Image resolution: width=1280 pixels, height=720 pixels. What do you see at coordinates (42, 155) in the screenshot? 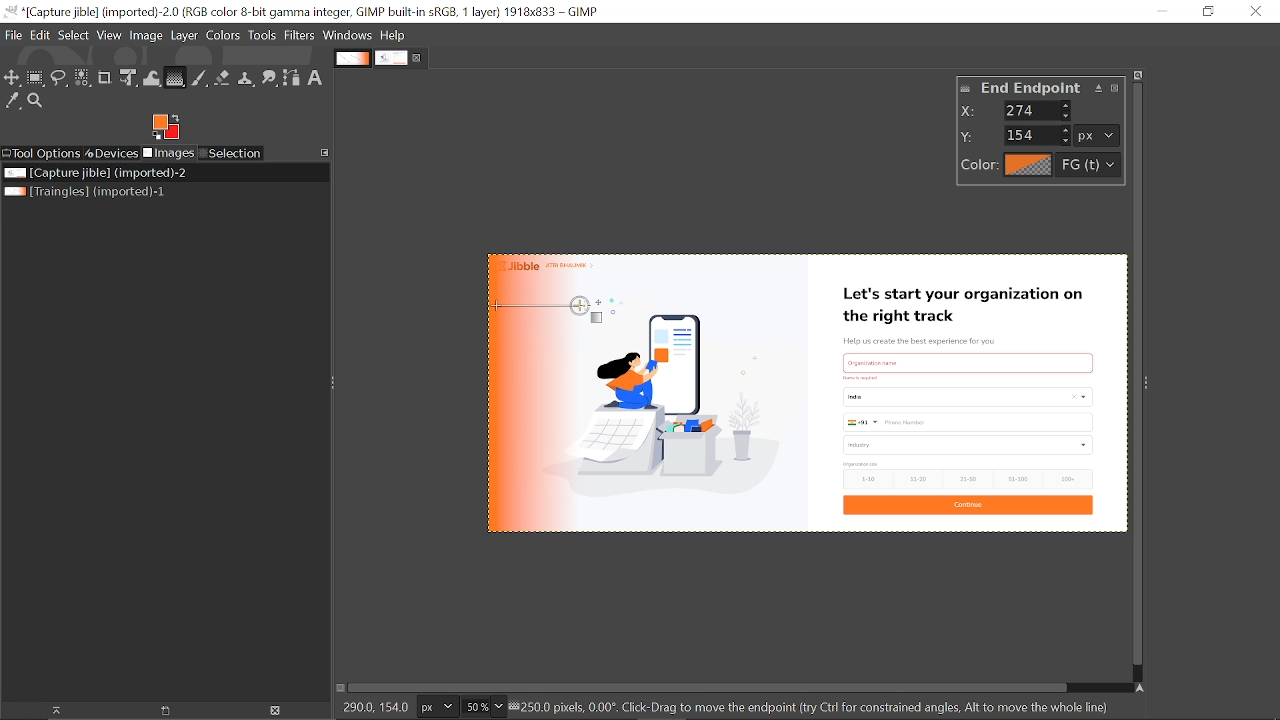
I see `Tool options` at bounding box center [42, 155].